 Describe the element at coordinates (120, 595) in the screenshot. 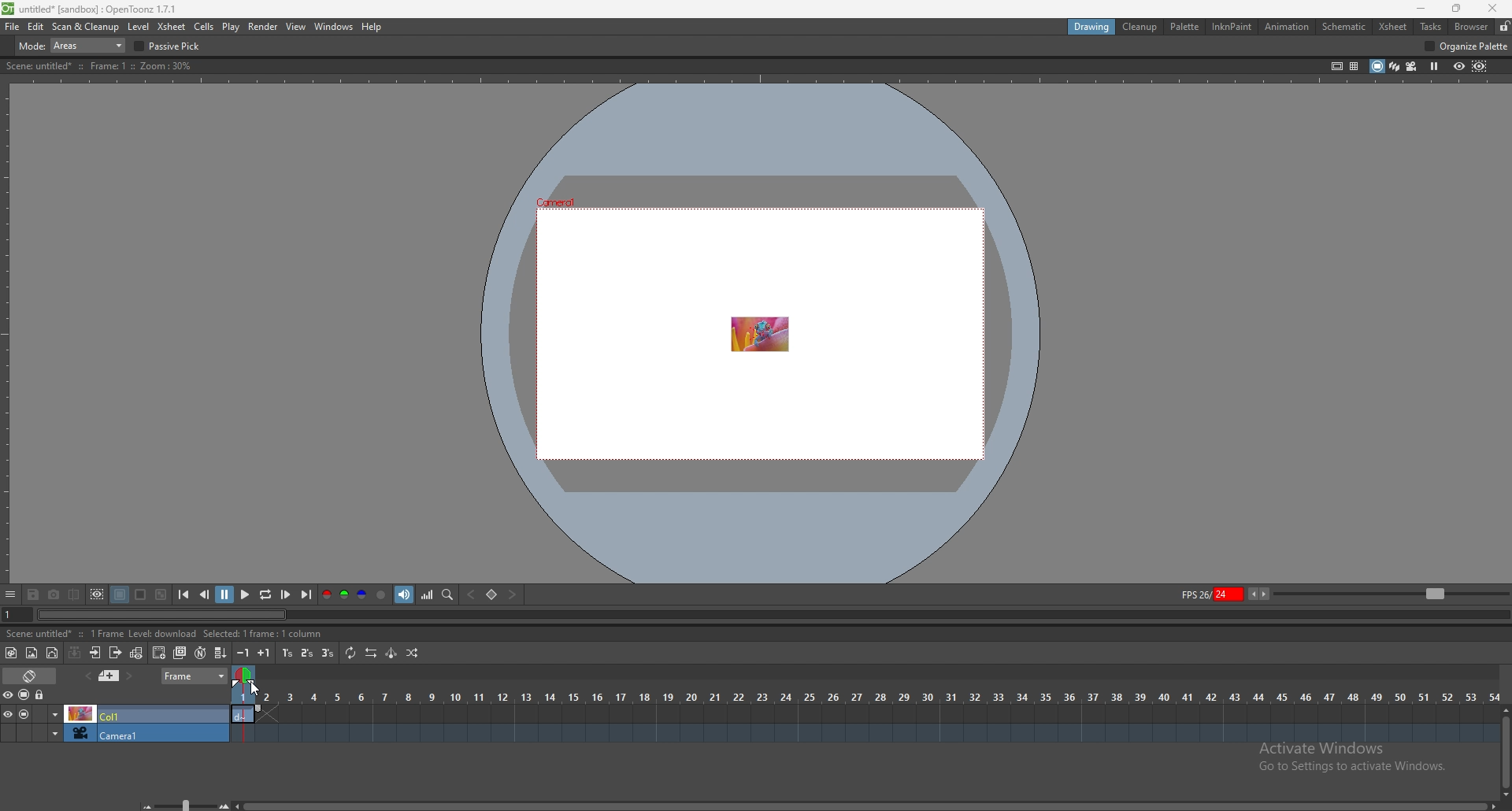

I see `black background` at that location.